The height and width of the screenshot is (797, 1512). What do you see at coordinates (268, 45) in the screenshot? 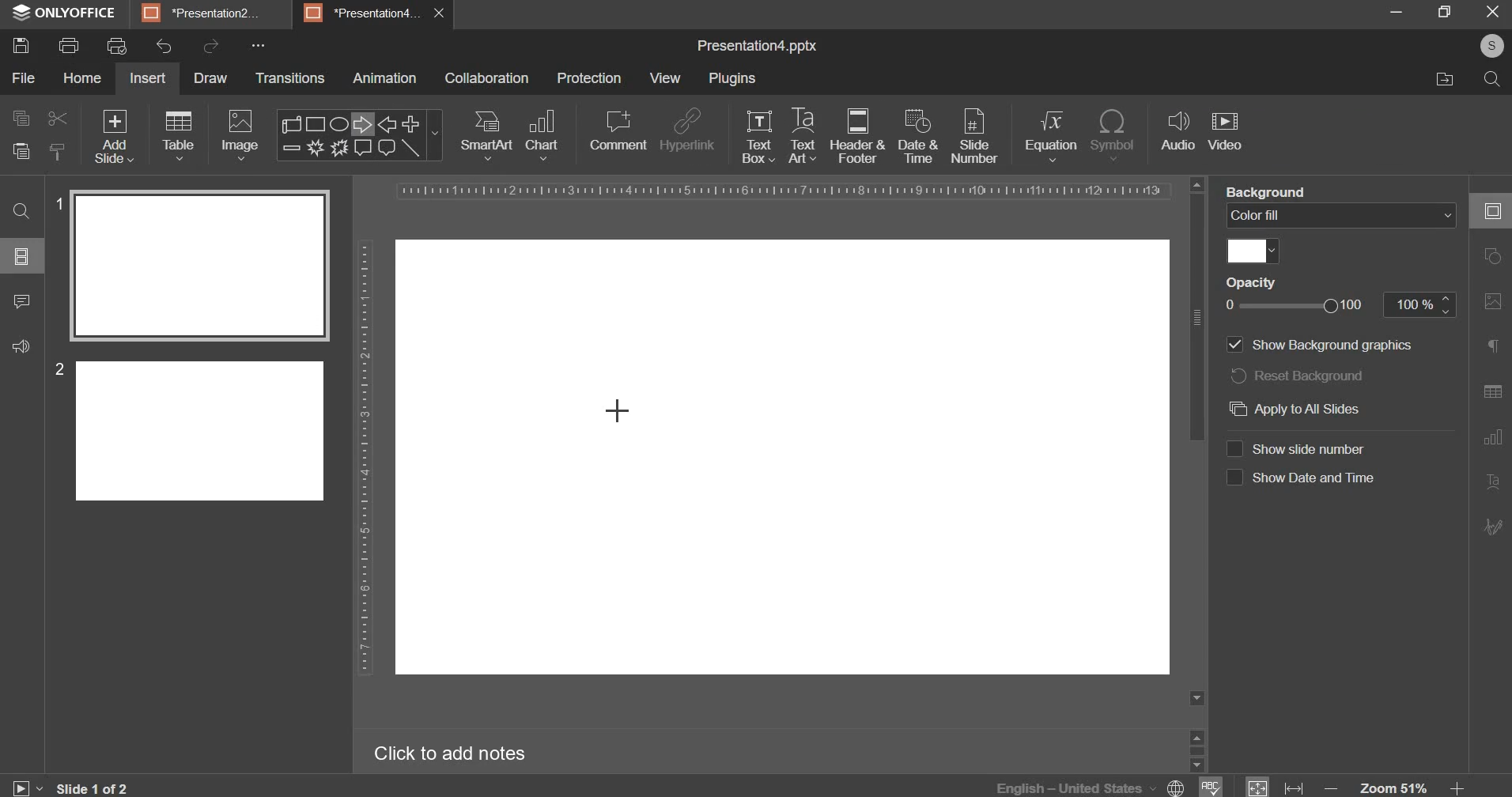
I see `` at bounding box center [268, 45].